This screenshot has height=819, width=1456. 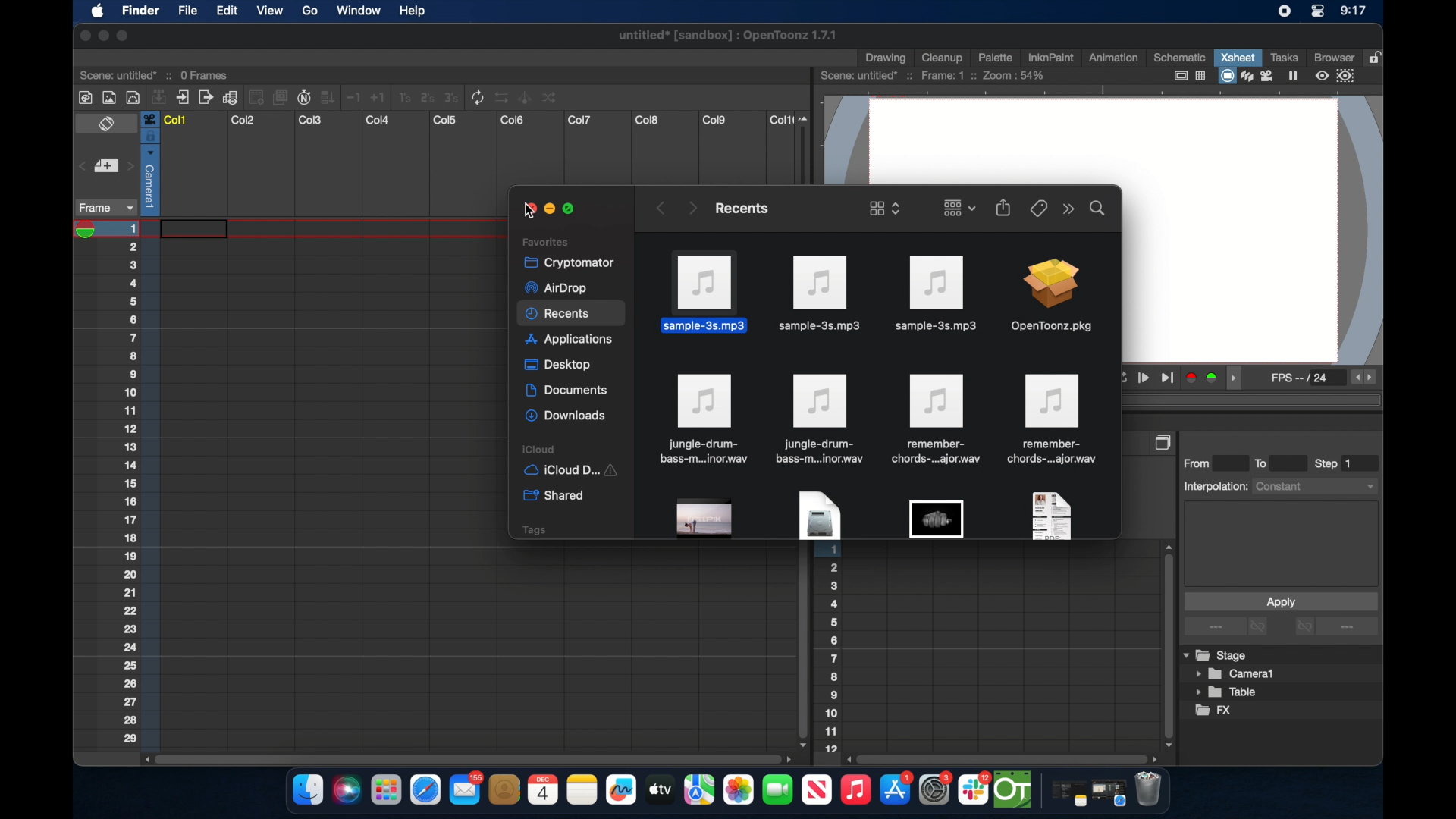 What do you see at coordinates (855, 790) in the screenshot?
I see `music` at bounding box center [855, 790].